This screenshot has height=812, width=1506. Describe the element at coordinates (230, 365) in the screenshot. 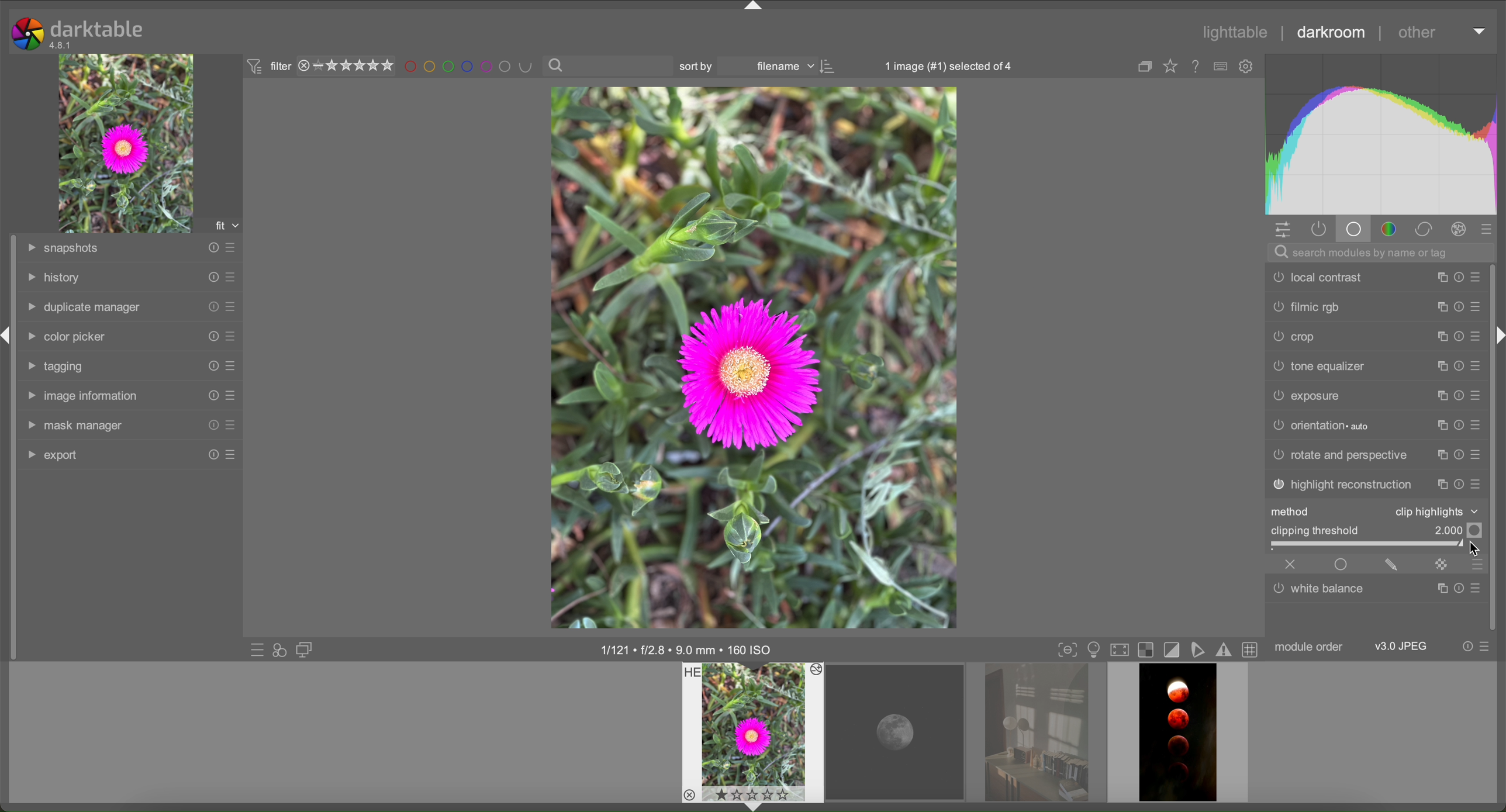

I see `presets` at that location.